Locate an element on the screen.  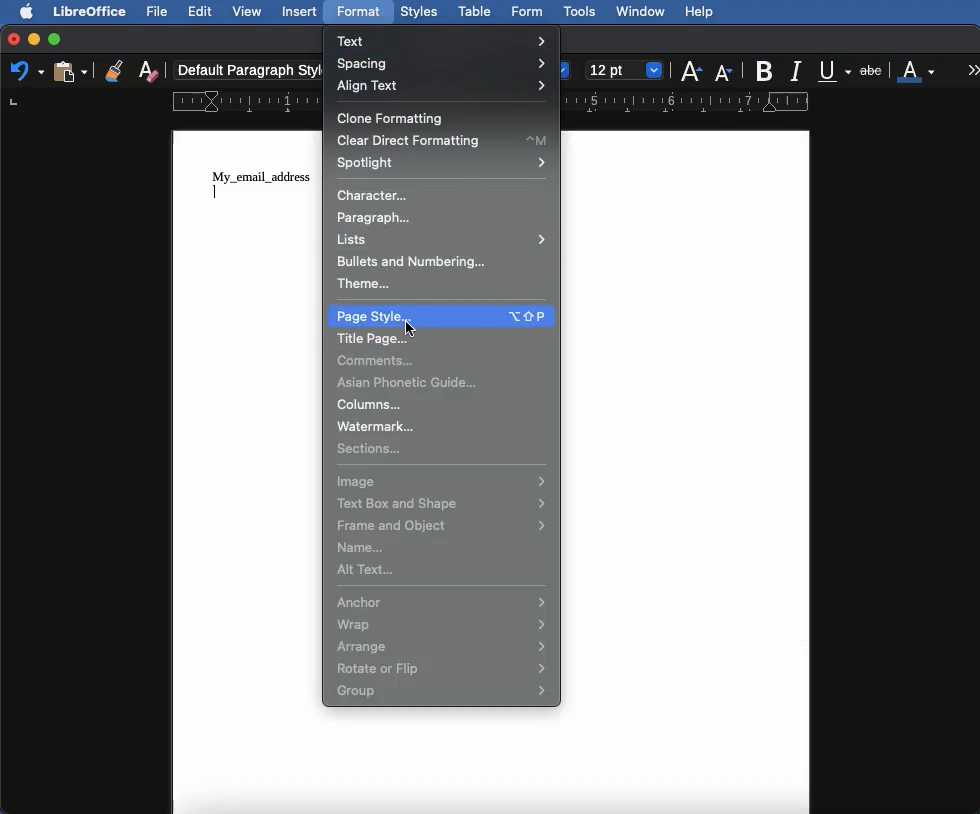
Title page is located at coordinates (379, 338).